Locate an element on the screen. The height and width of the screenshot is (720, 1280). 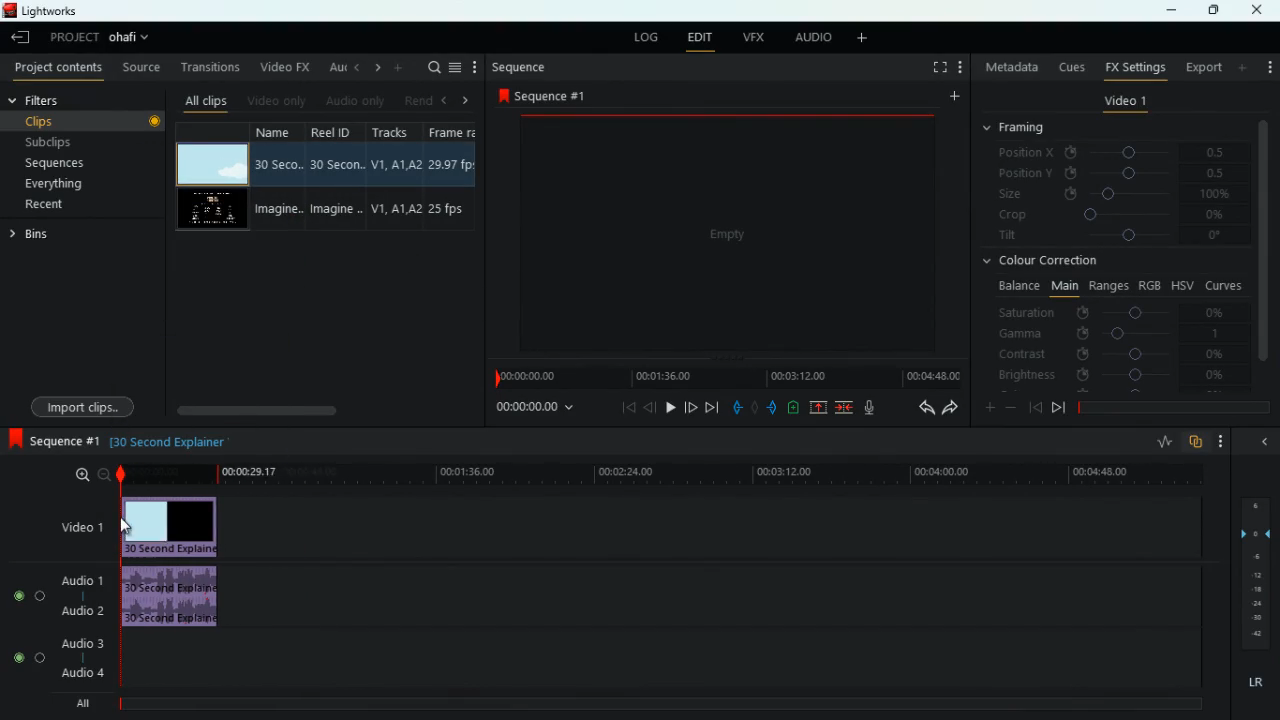
back is located at coordinates (650, 407).